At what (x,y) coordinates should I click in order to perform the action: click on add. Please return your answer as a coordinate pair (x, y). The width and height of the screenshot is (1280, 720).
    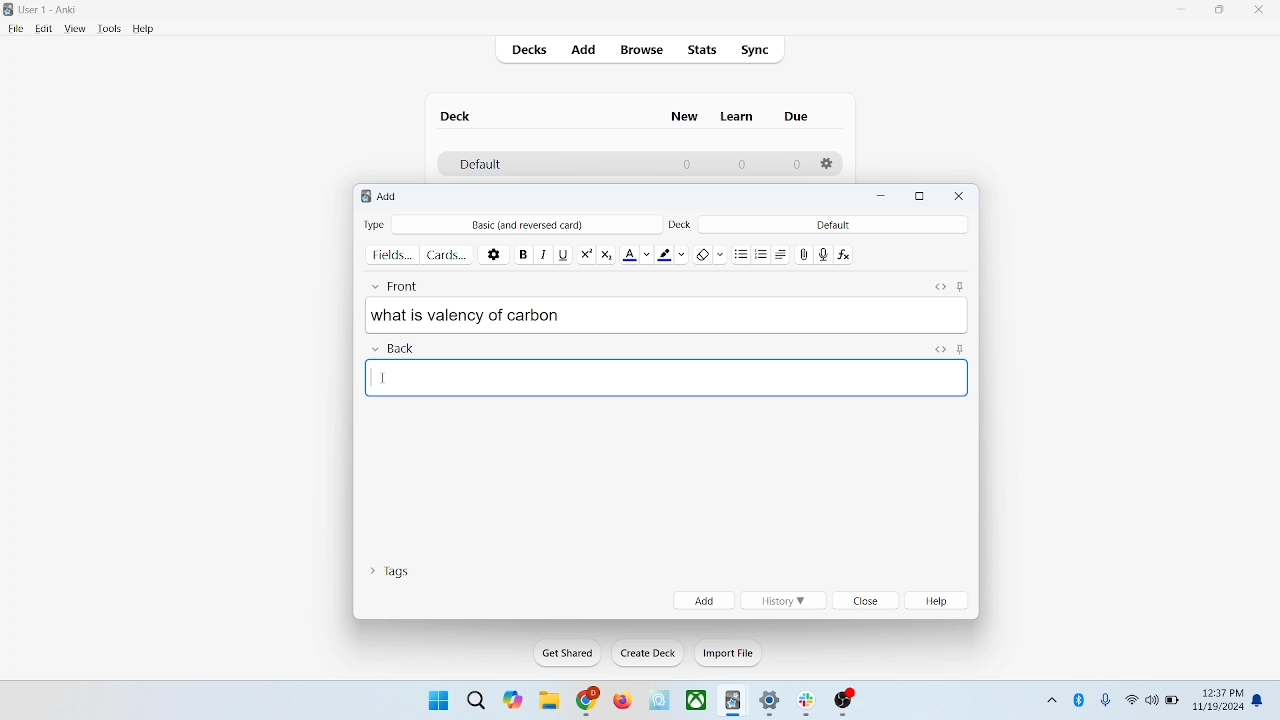
    Looking at the image, I should click on (585, 51).